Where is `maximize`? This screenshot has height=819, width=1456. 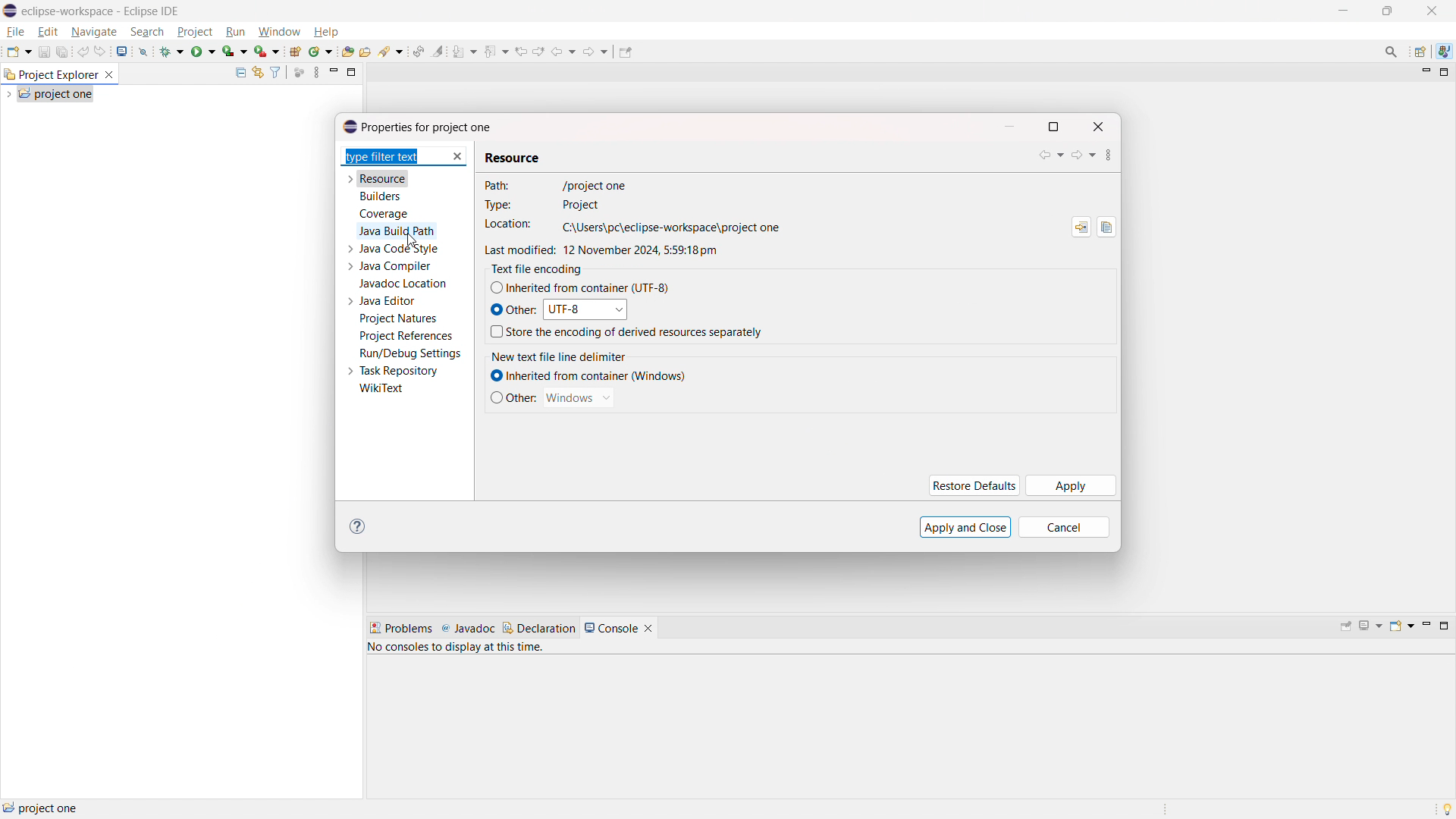 maximize is located at coordinates (1053, 127).